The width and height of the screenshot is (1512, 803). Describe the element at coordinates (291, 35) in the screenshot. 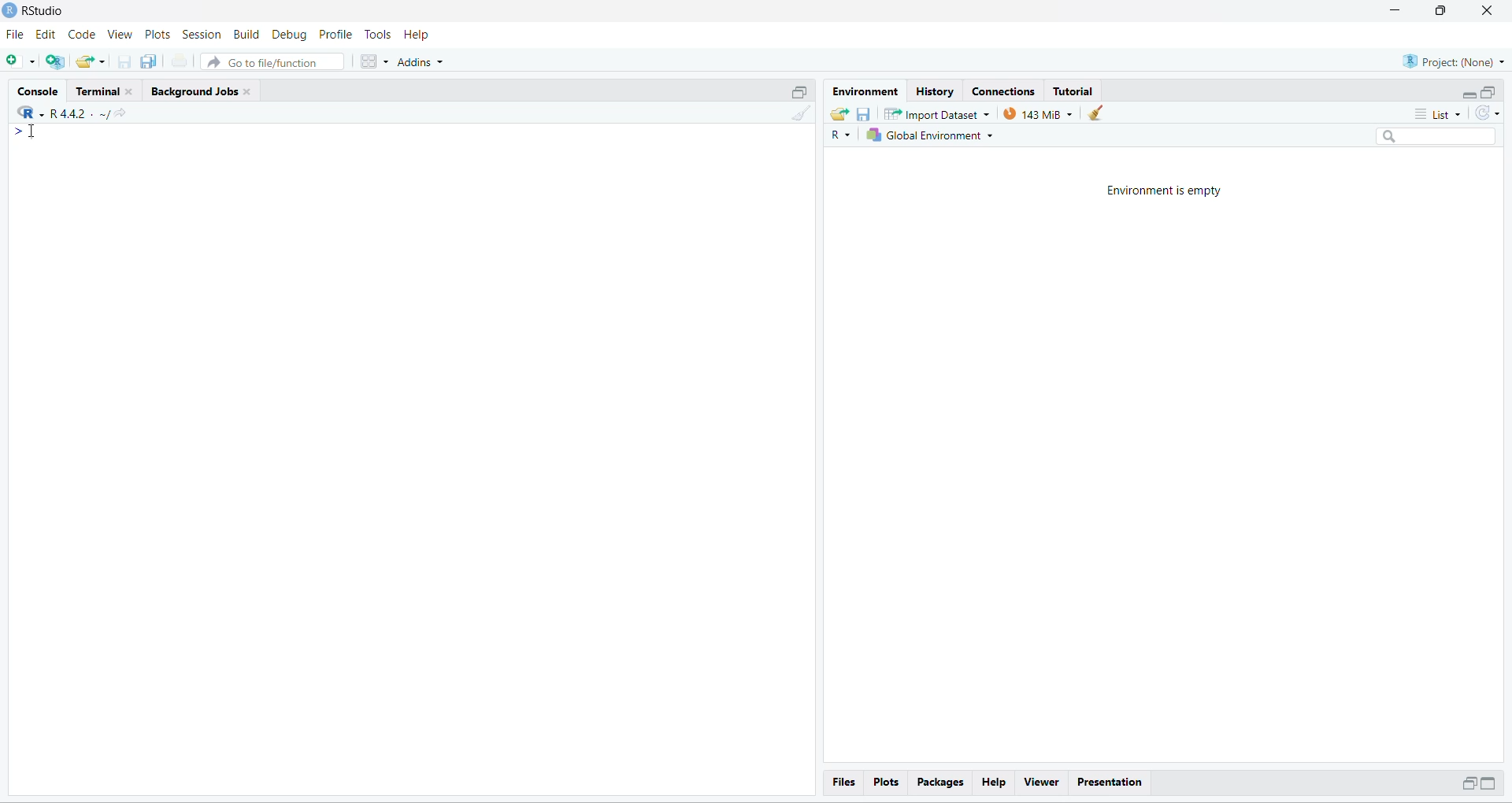

I see `debug` at that location.